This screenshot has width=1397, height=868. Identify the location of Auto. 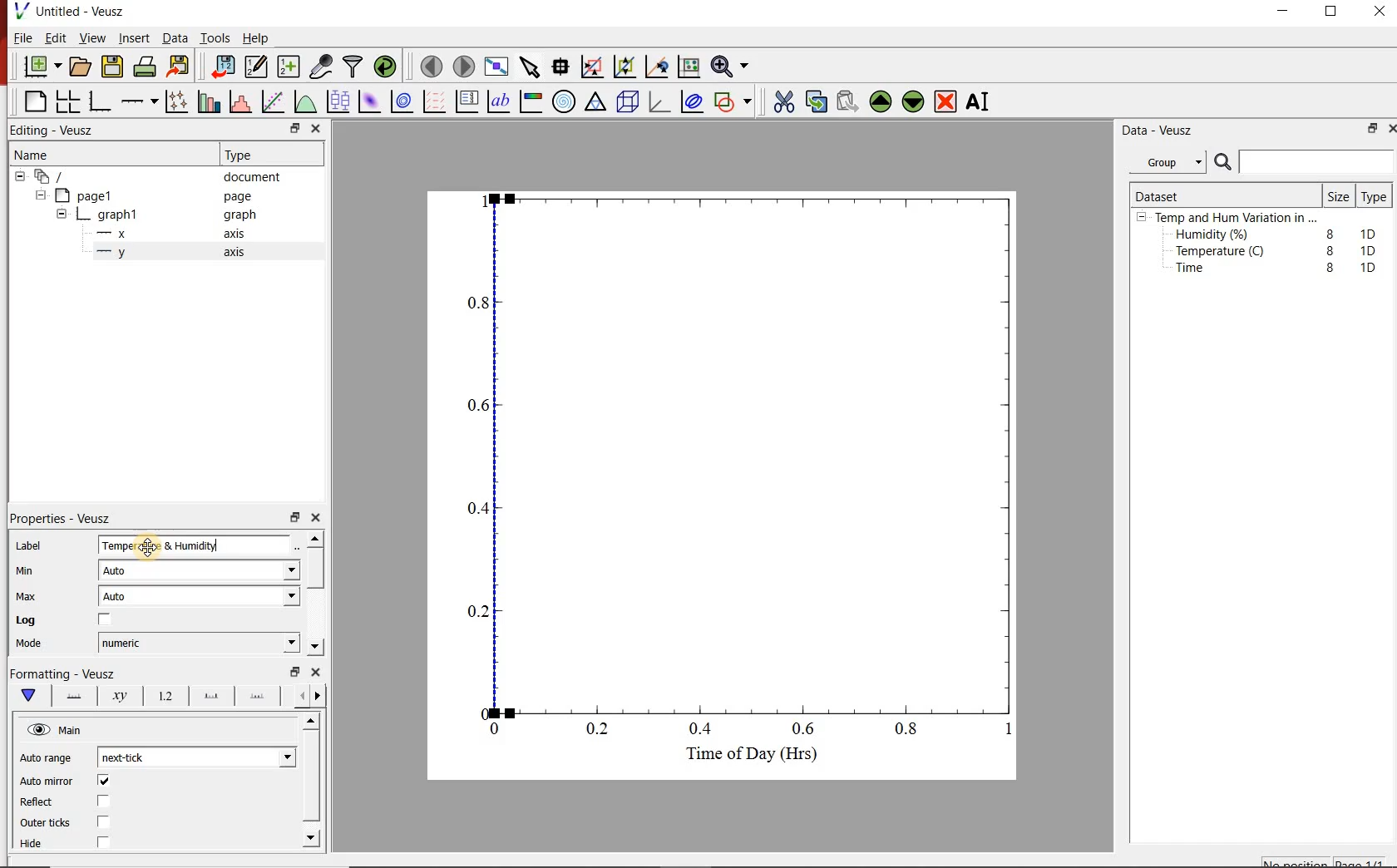
(123, 571).